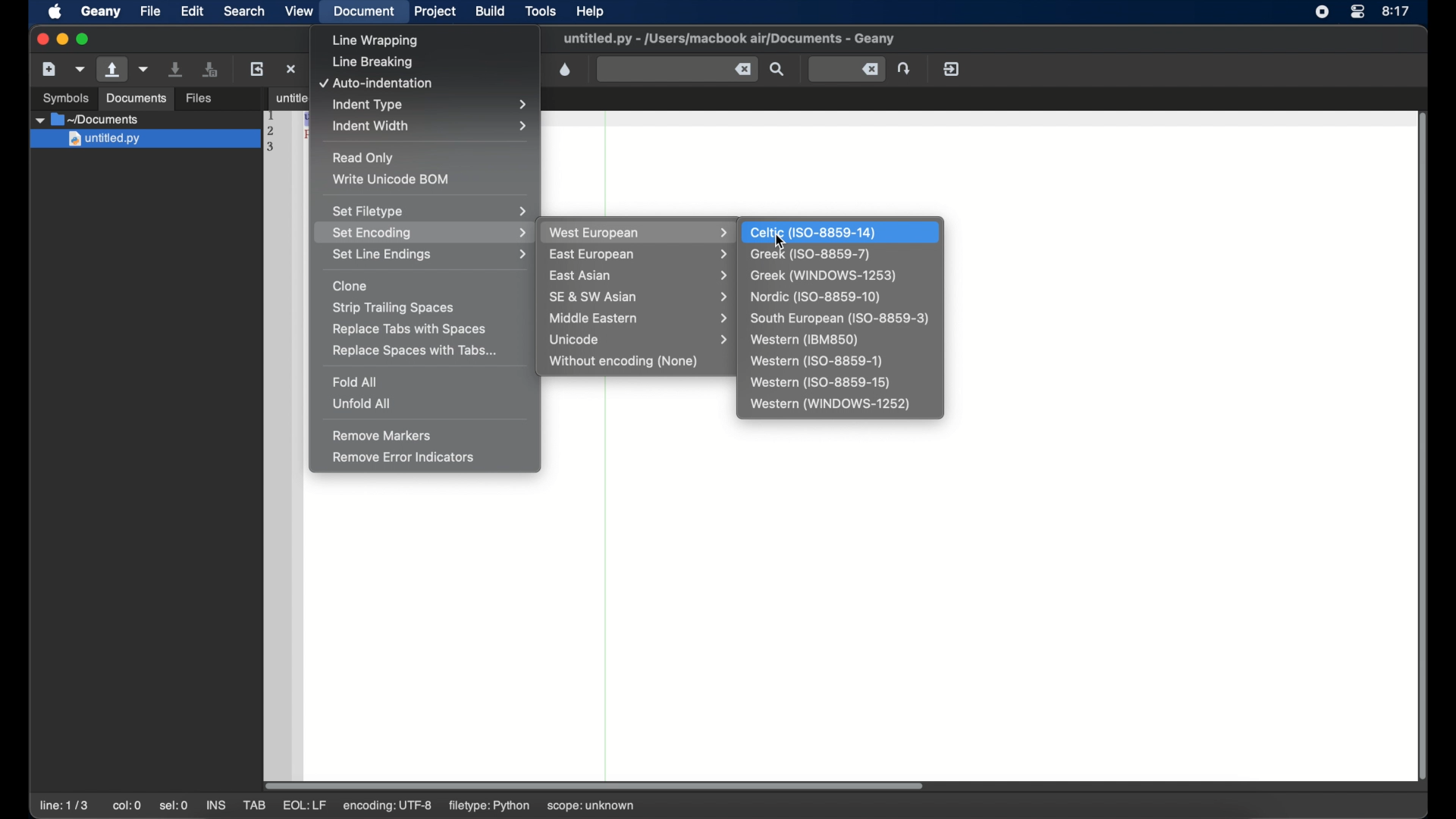 Image resolution: width=1456 pixels, height=819 pixels. What do you see at coordinates (144, 69) in the screenshot?
I see `open a recent file` at bounding box center [144, 69].